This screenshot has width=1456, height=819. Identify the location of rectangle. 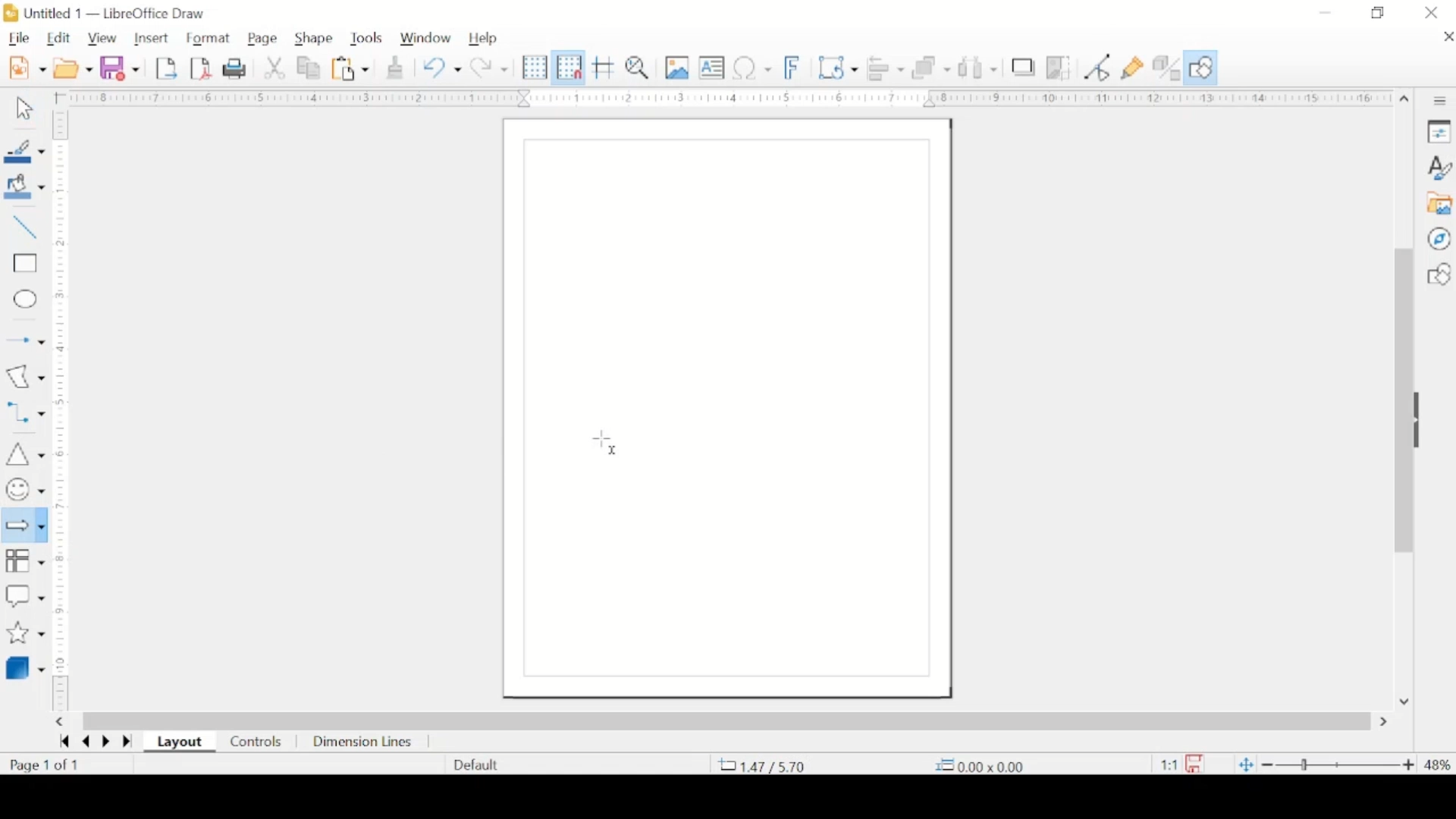
(25, 264).